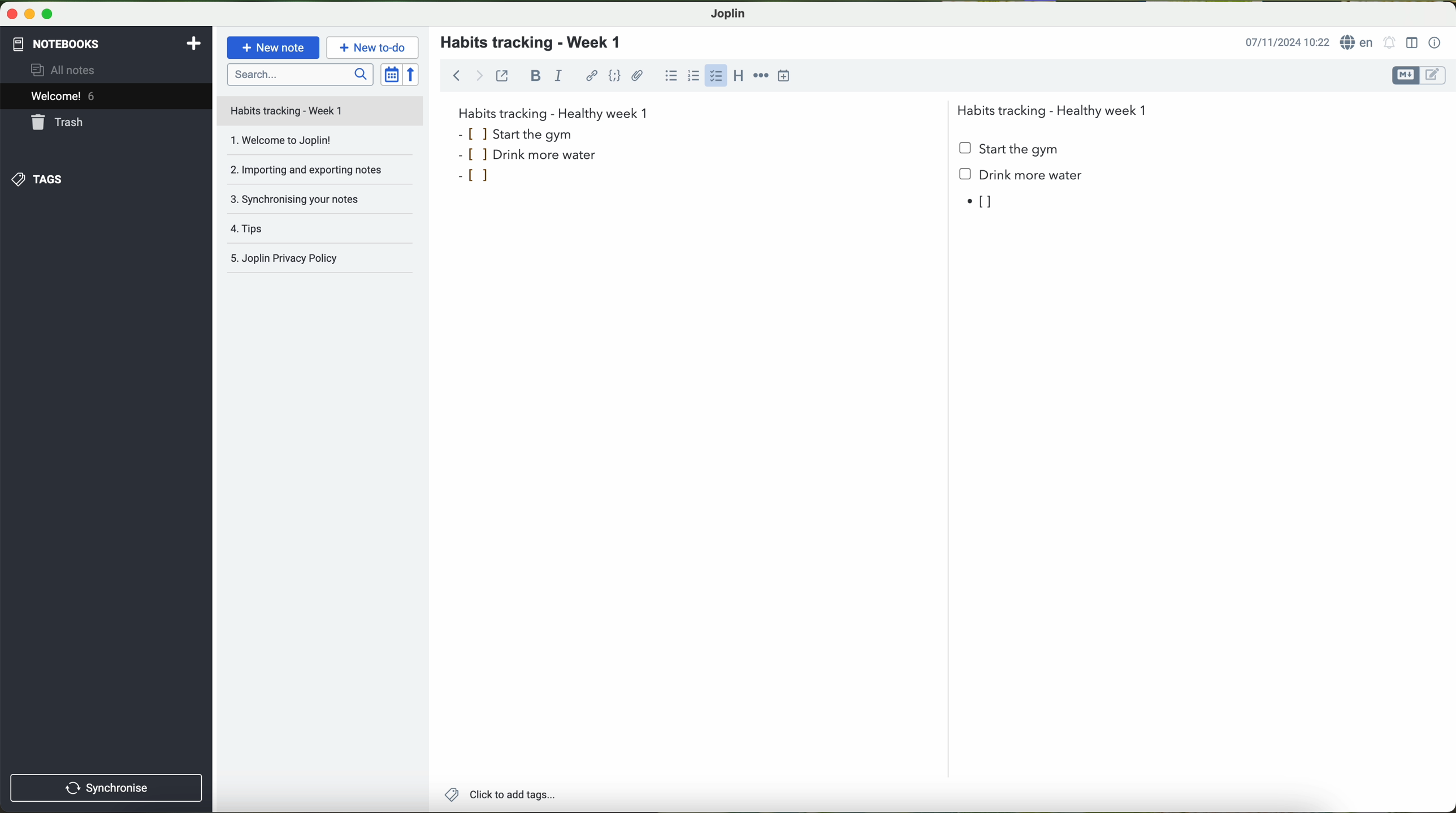 This screenshot has width=1456, height=813. What do you see at coordinates (558, 75) in the screenshot?
I see `italic` at bounding box center [558, 75].